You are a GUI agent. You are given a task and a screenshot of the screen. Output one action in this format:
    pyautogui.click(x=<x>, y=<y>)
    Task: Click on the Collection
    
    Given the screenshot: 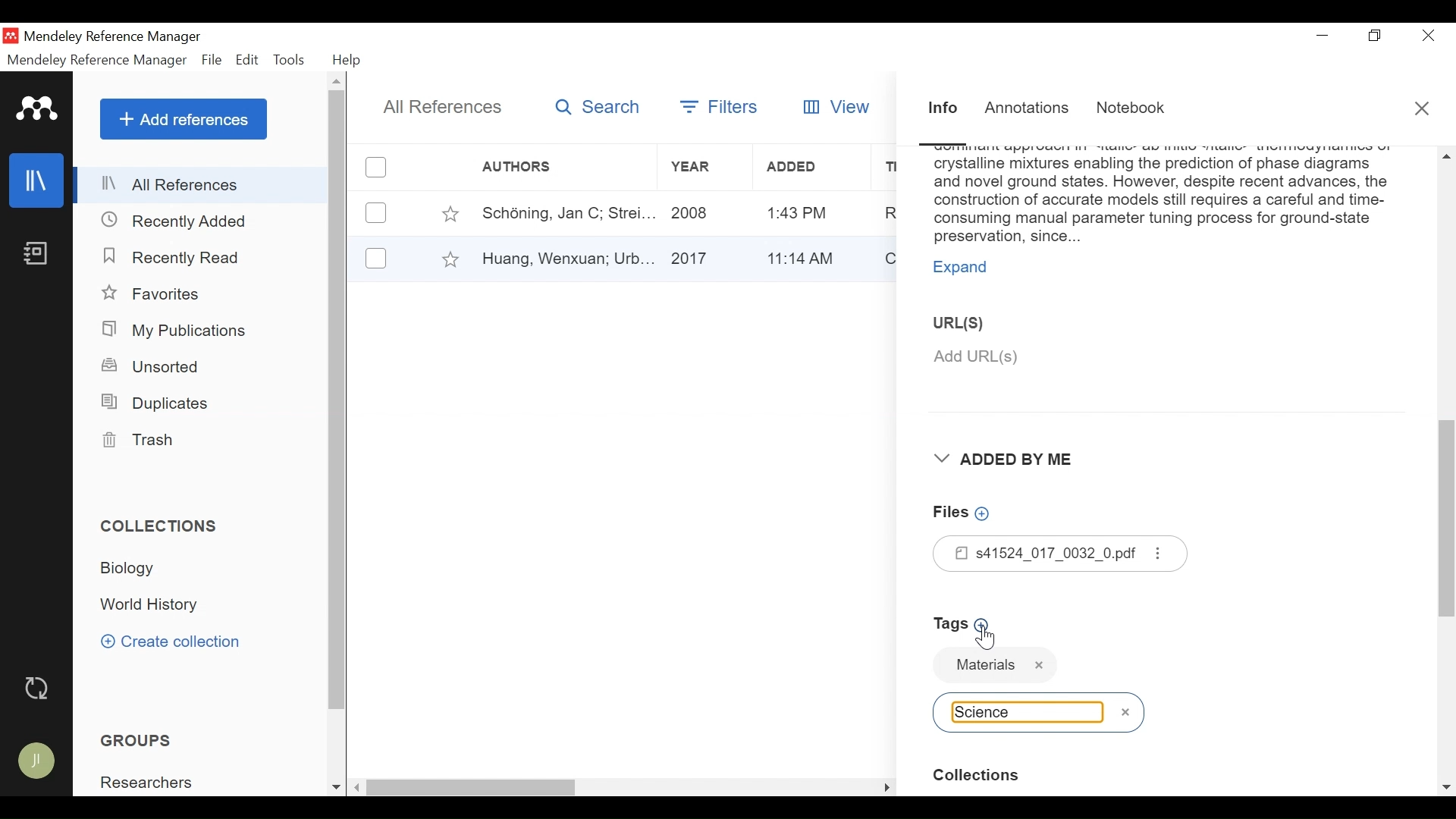 What is the action you would take?
    pyautogui.click(x=152, y=606)
    